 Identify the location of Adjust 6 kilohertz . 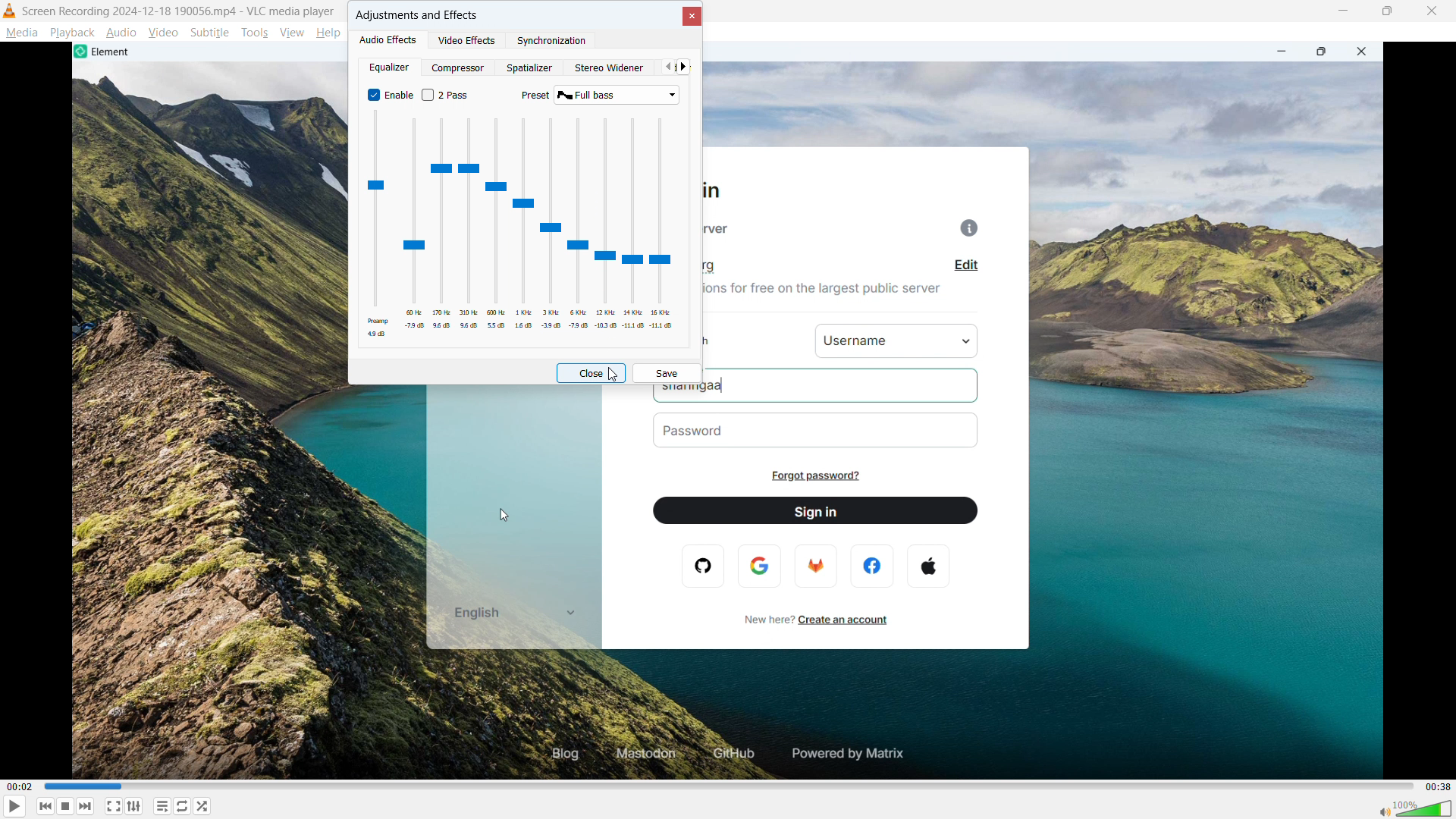
(579, 224).